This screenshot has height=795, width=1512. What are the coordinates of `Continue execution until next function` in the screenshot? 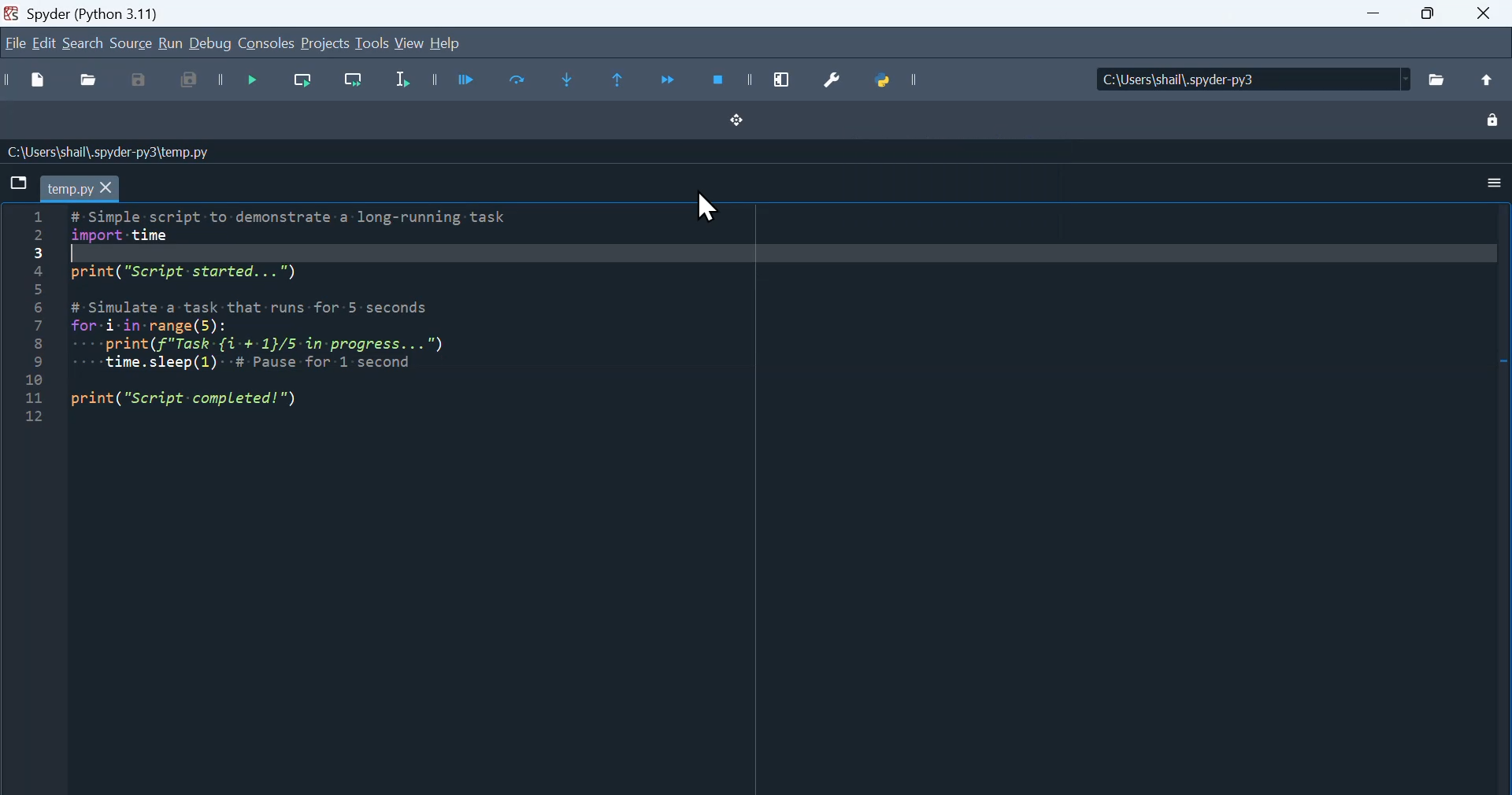 It's located at (671, 79).